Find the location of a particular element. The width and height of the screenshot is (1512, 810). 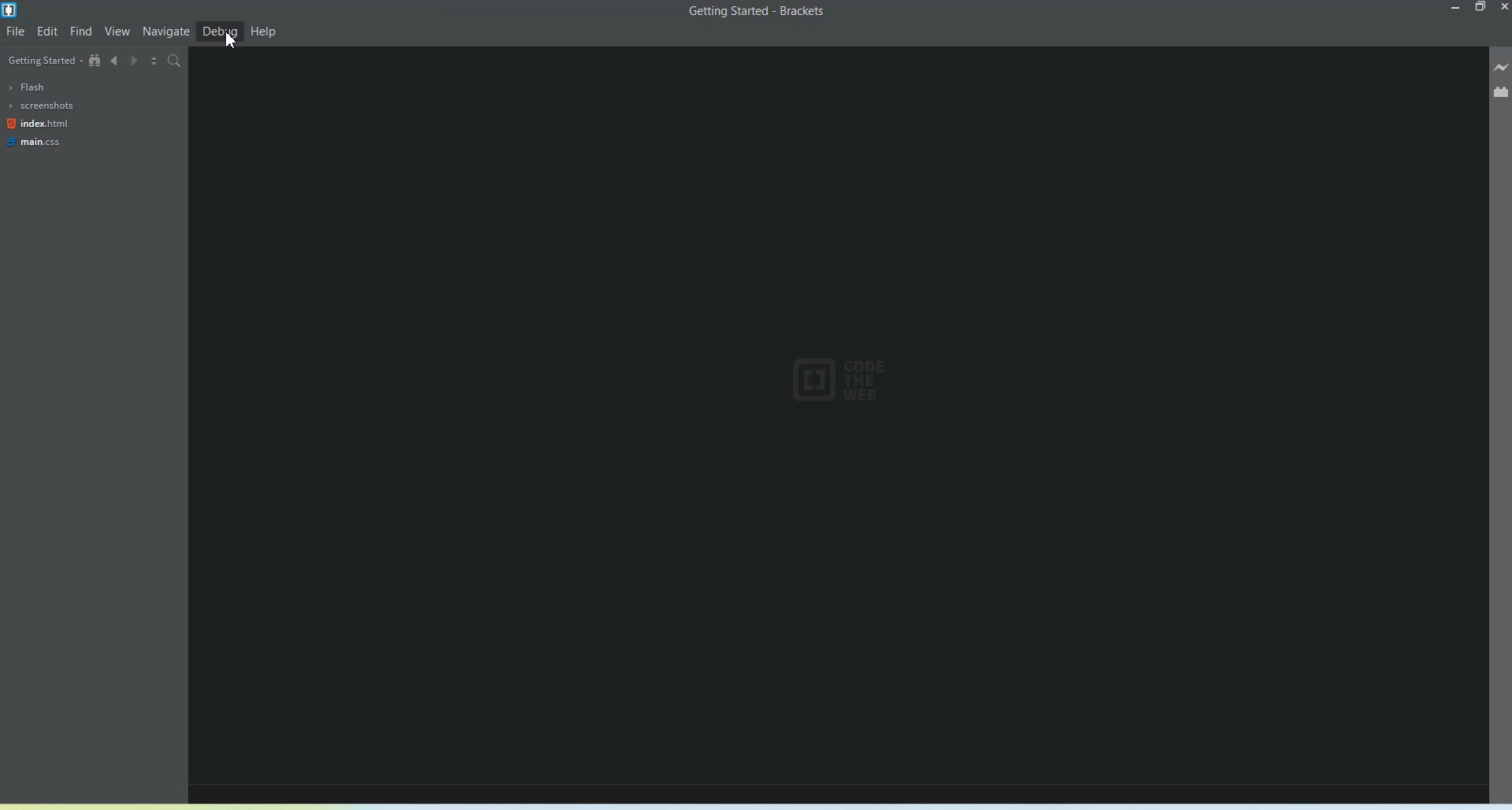

index.html is located at coordinates (39, 124).